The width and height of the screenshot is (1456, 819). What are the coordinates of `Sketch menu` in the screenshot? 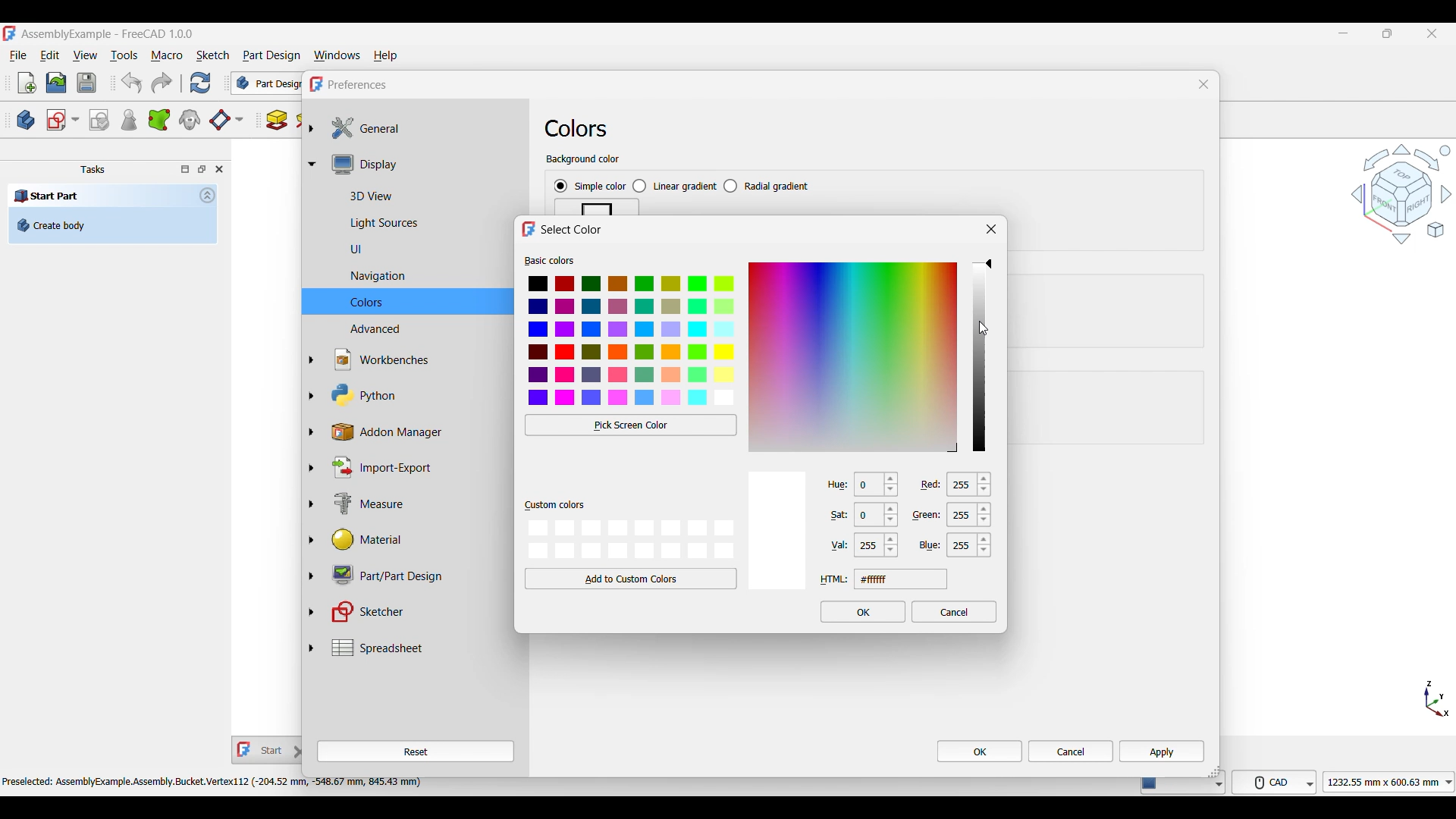 It's located at (212, 55).